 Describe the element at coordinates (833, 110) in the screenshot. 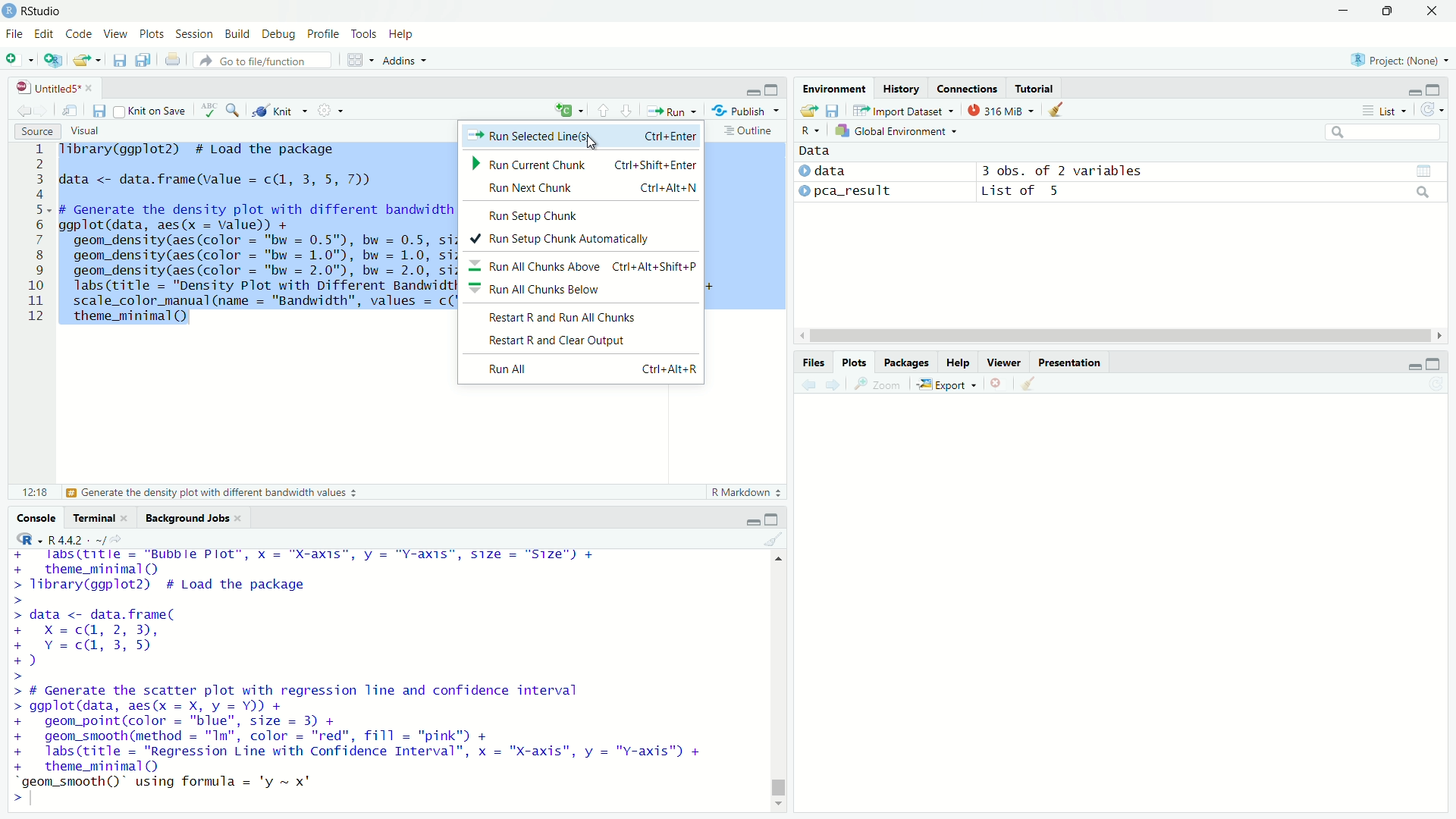

I see `Save workspace as` at that location.